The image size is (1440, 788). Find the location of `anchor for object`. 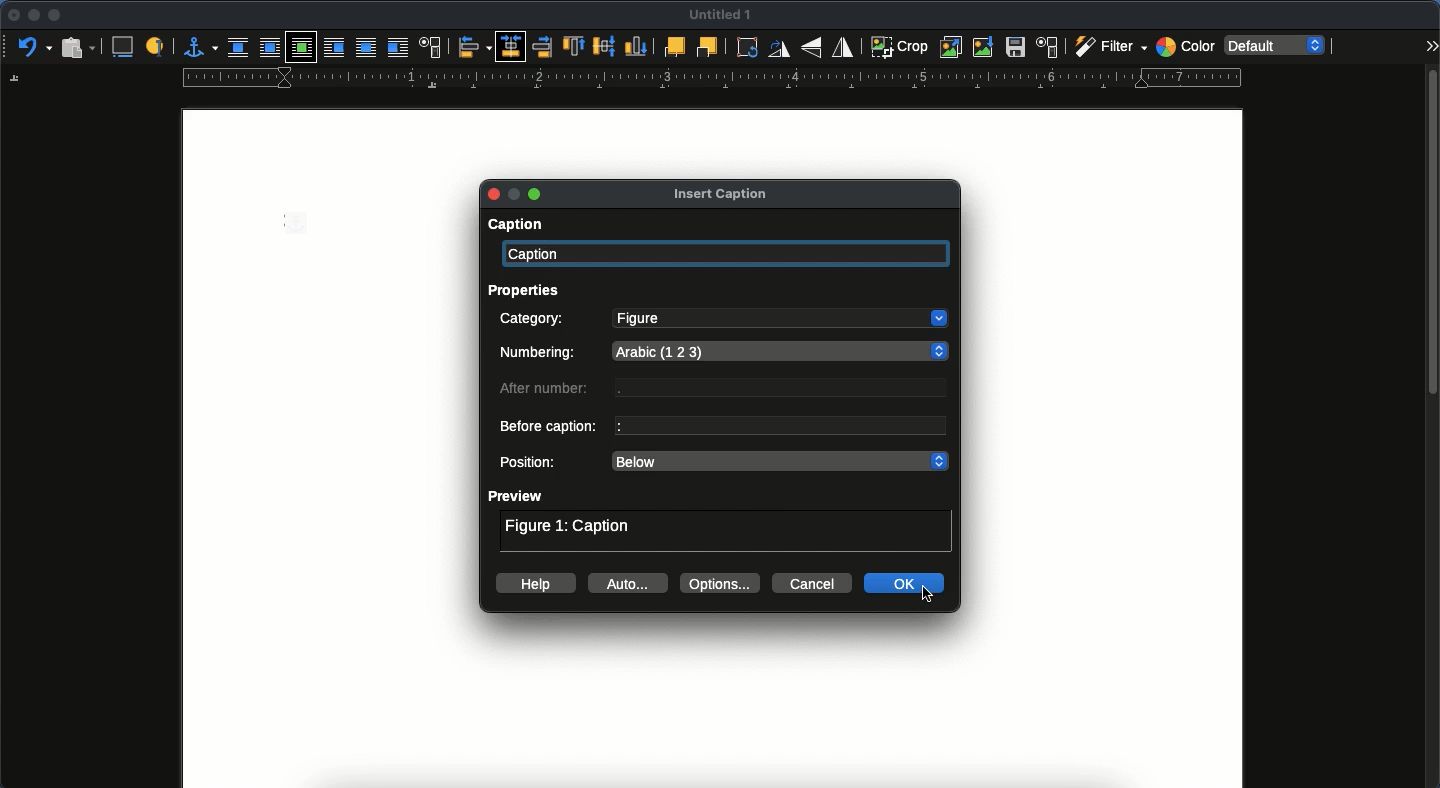

anchor for object is located at coordinates (198, 47).